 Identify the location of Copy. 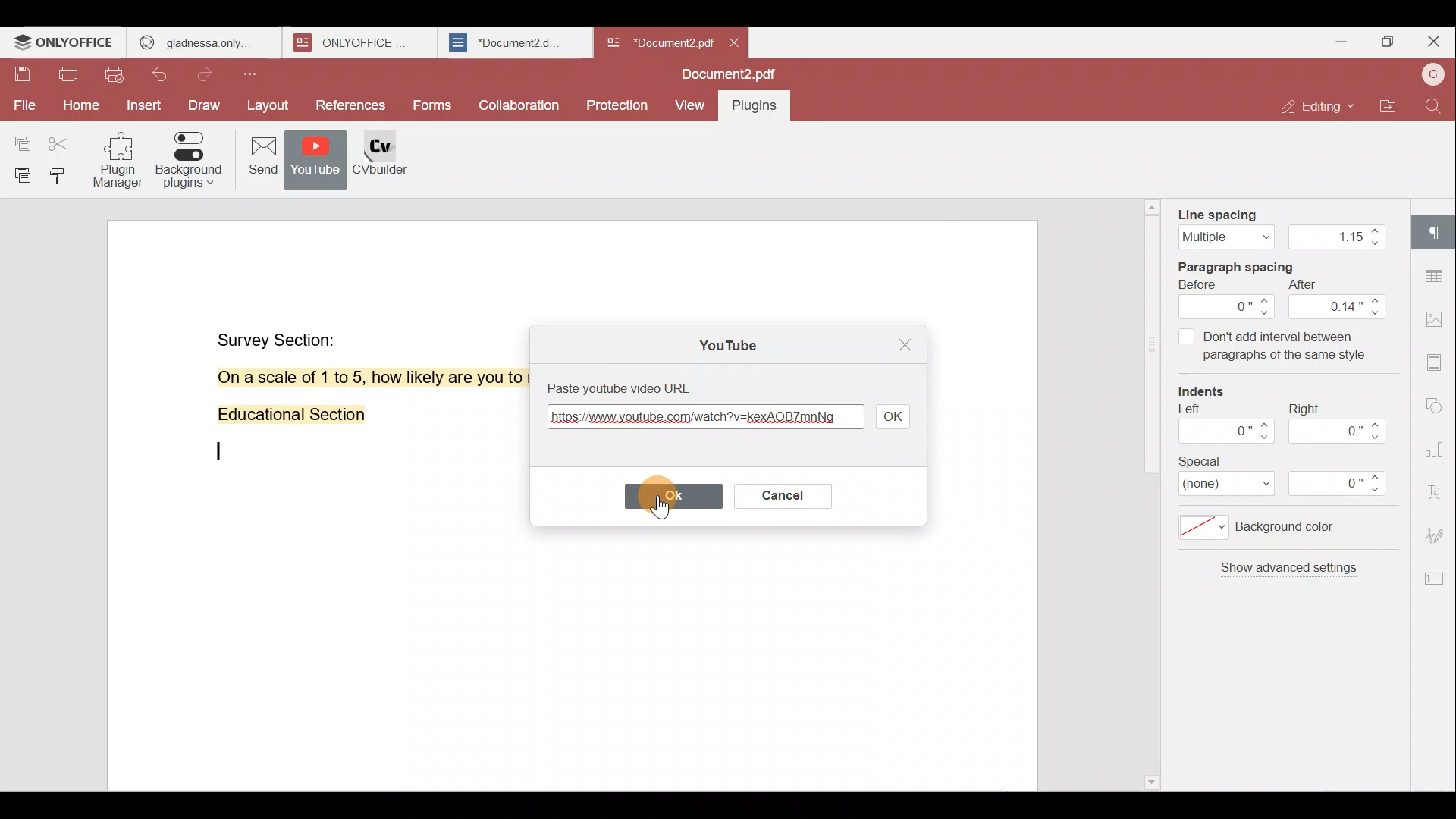
(21, 137).